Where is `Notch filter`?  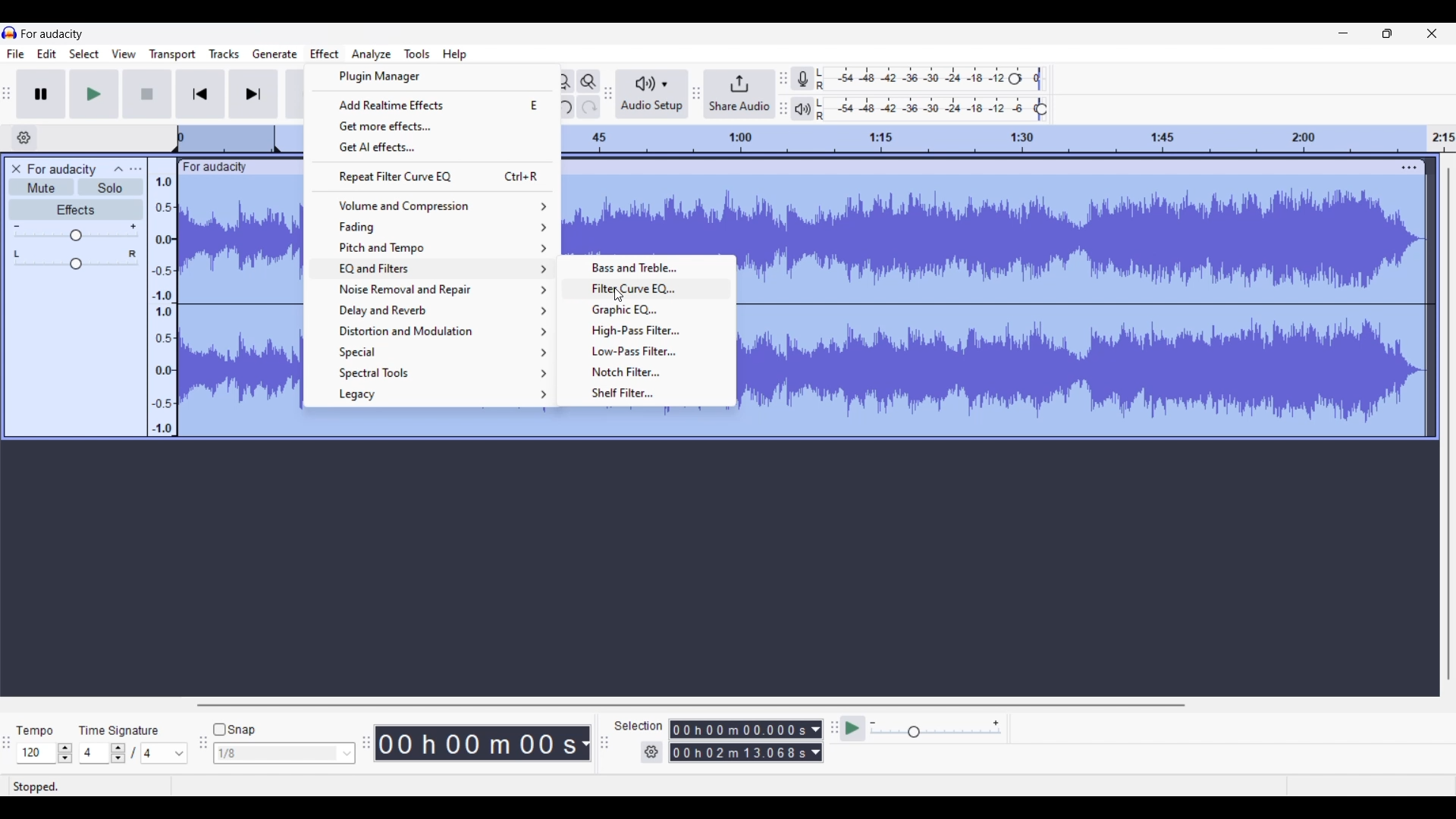 Notch filter is located at coordinates (648, 372).